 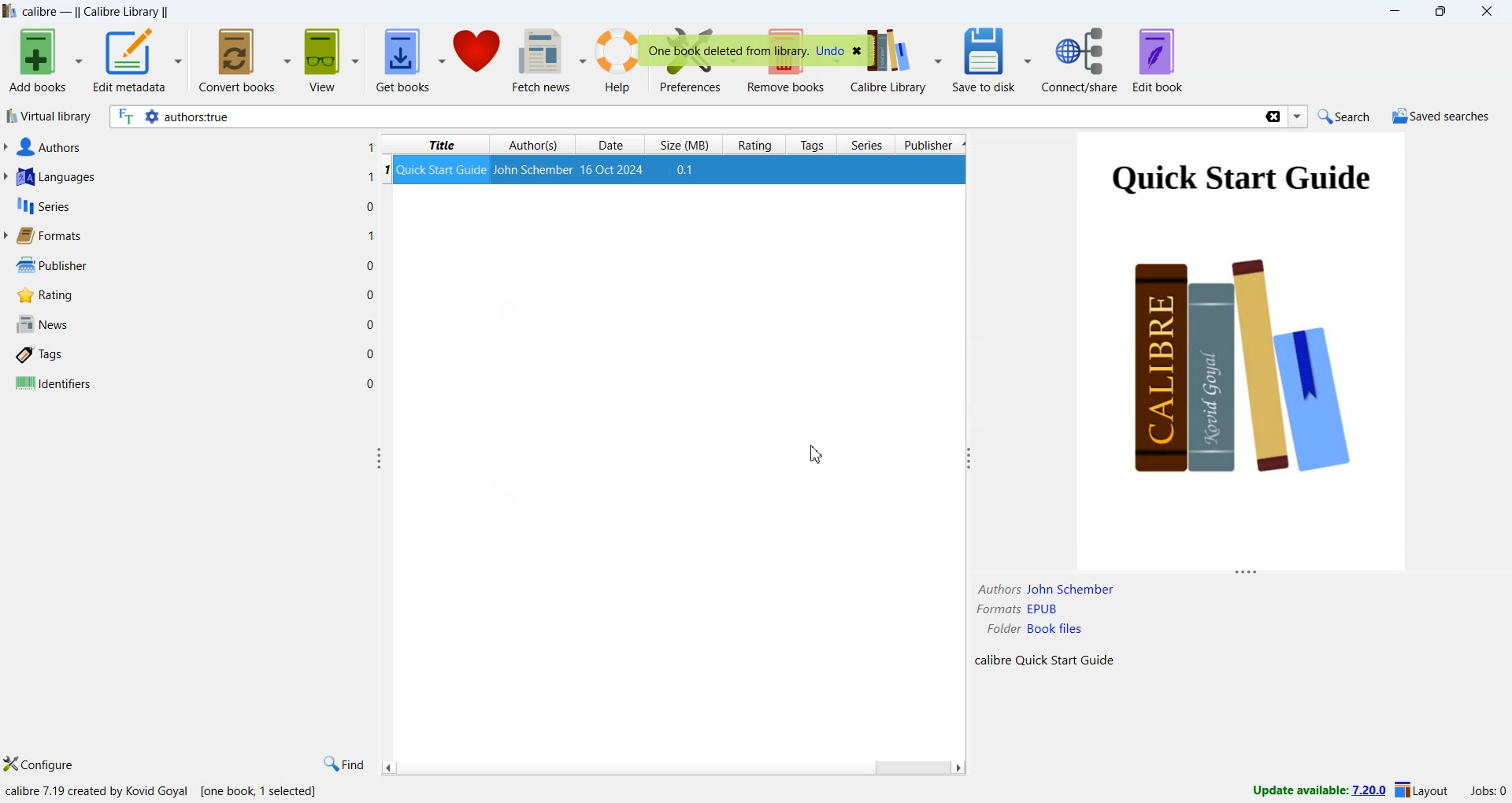 I want to click on size, so click(x=686, y=143).